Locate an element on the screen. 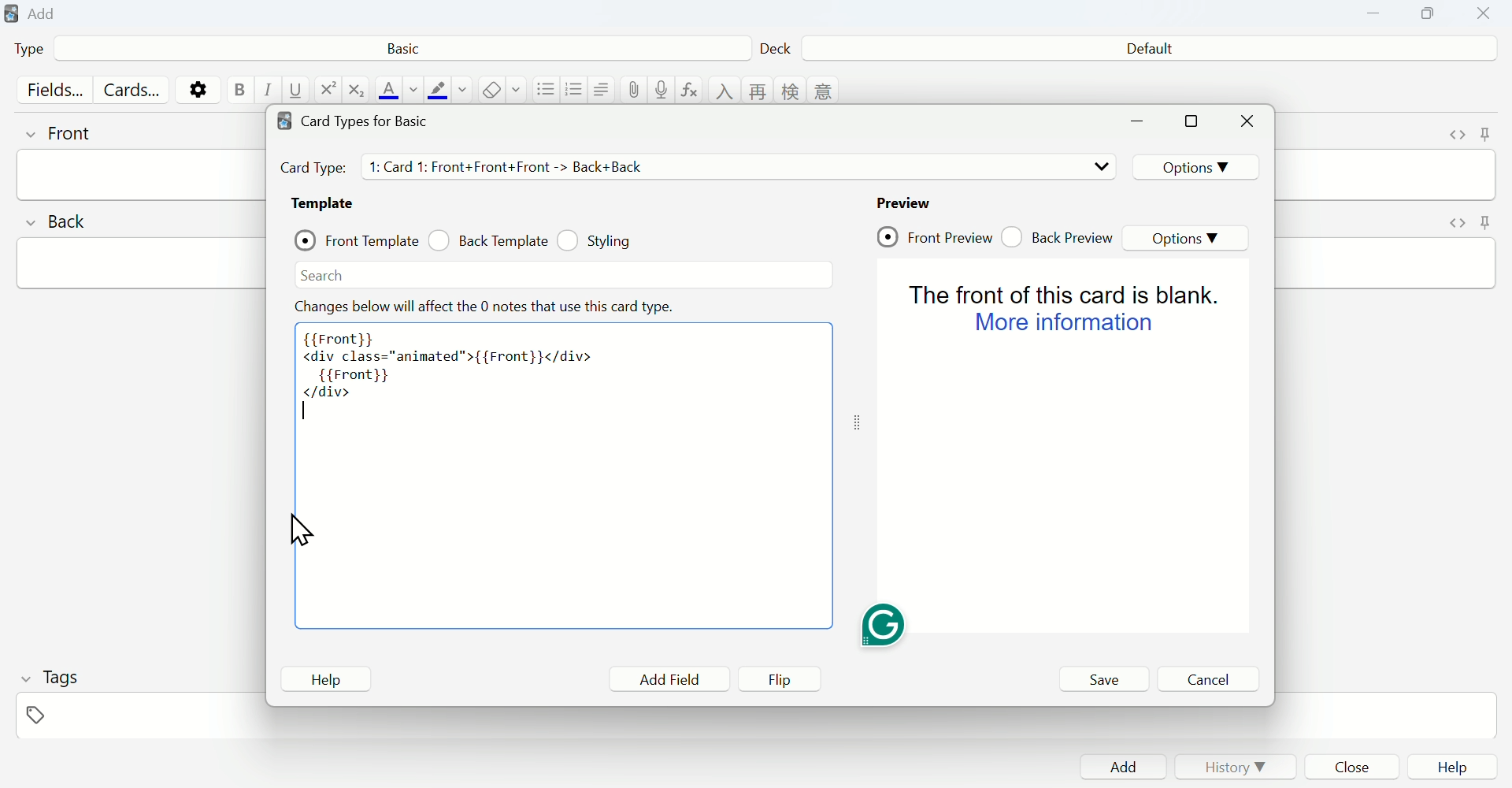  language is located at coordinates (723, 90).